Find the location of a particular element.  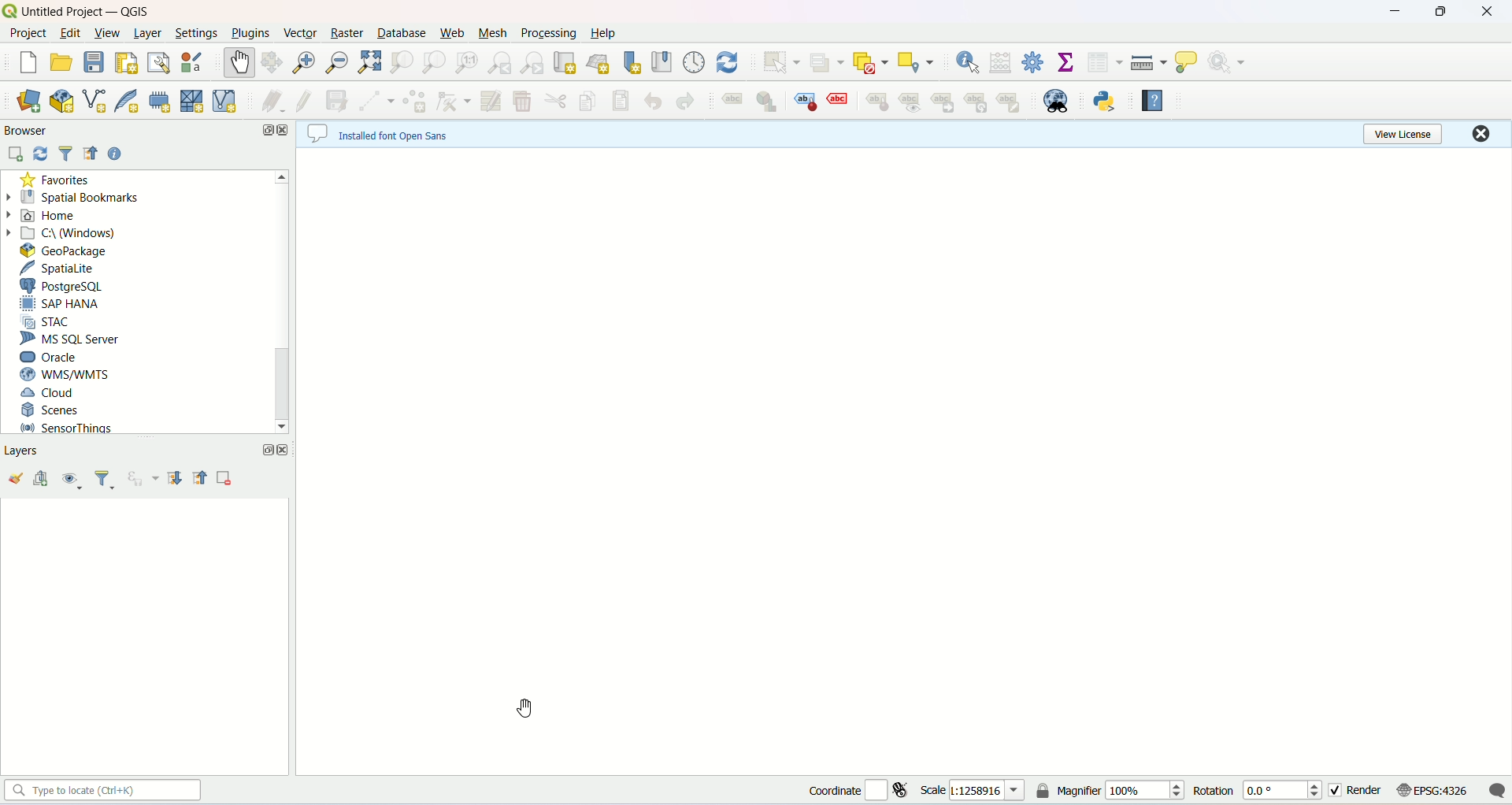

WMS/WMTS is located at coordinates (66, 375).